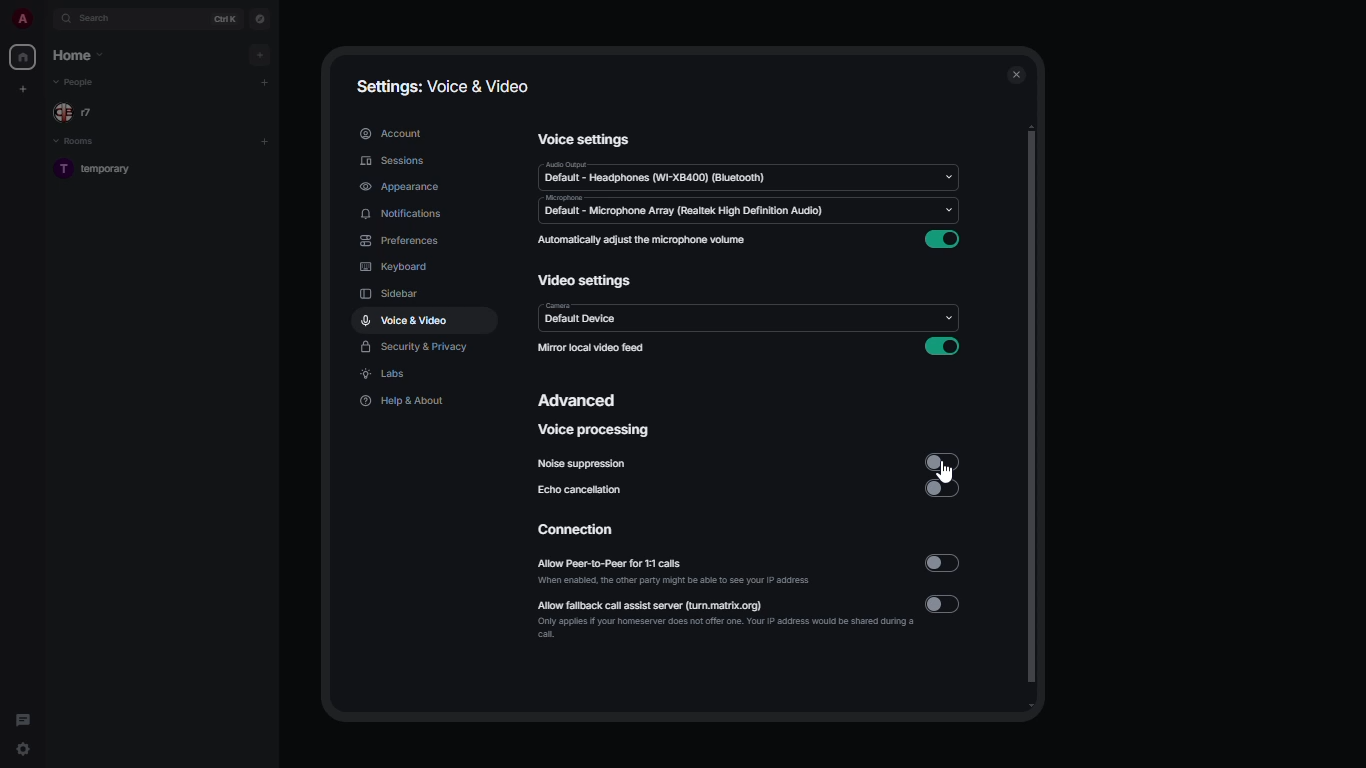  I want to click on video settings, so click(588, 284).